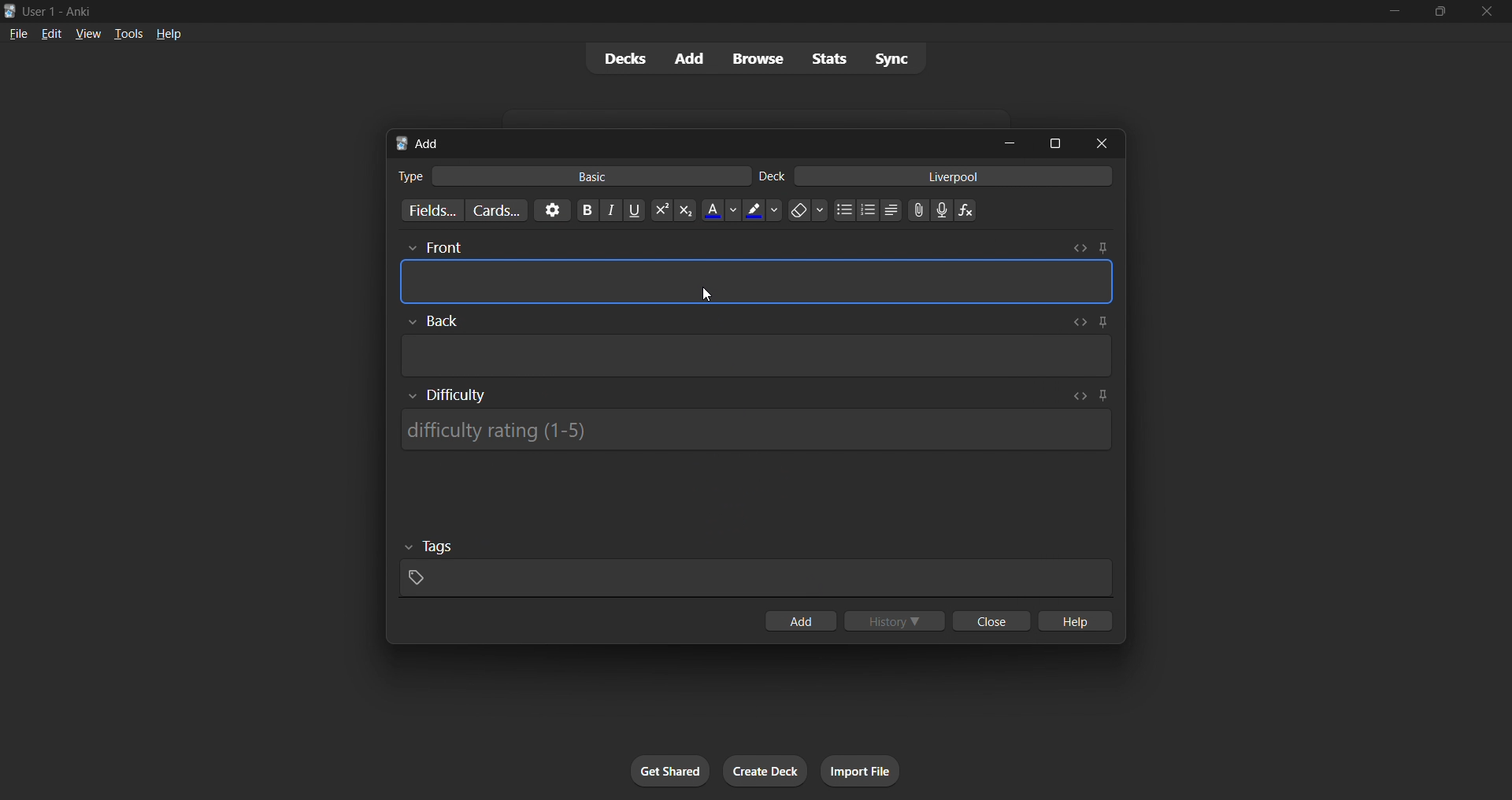 Image resolution: width=1512 pixels, height=800 pixels. Describe the element at coordinates (623, 59) in the screenshot. I see `decks` at that location.